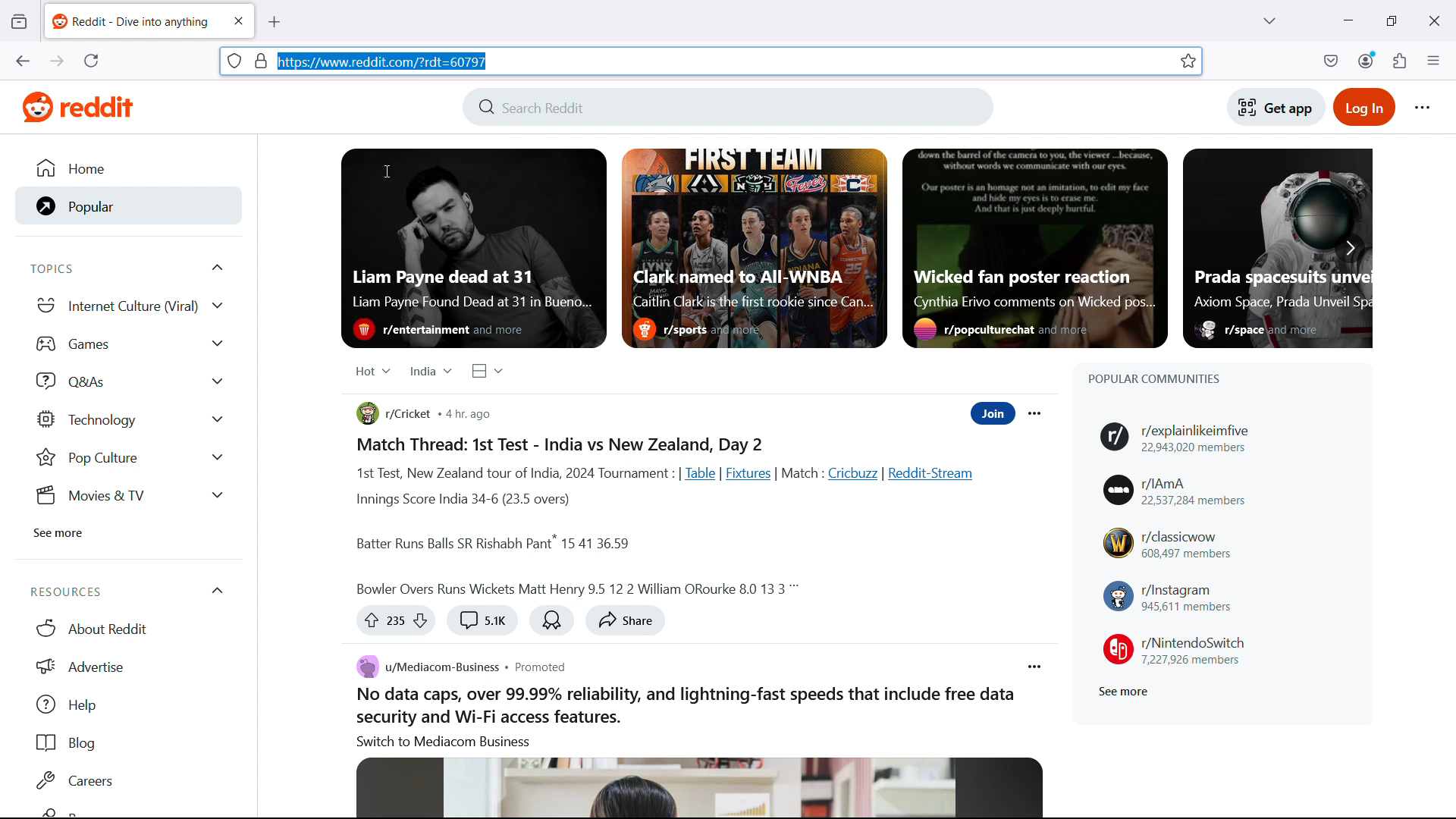  Describe the element at coordinates (1432, 60) in the screenshot. I see `open application menu` at that location.